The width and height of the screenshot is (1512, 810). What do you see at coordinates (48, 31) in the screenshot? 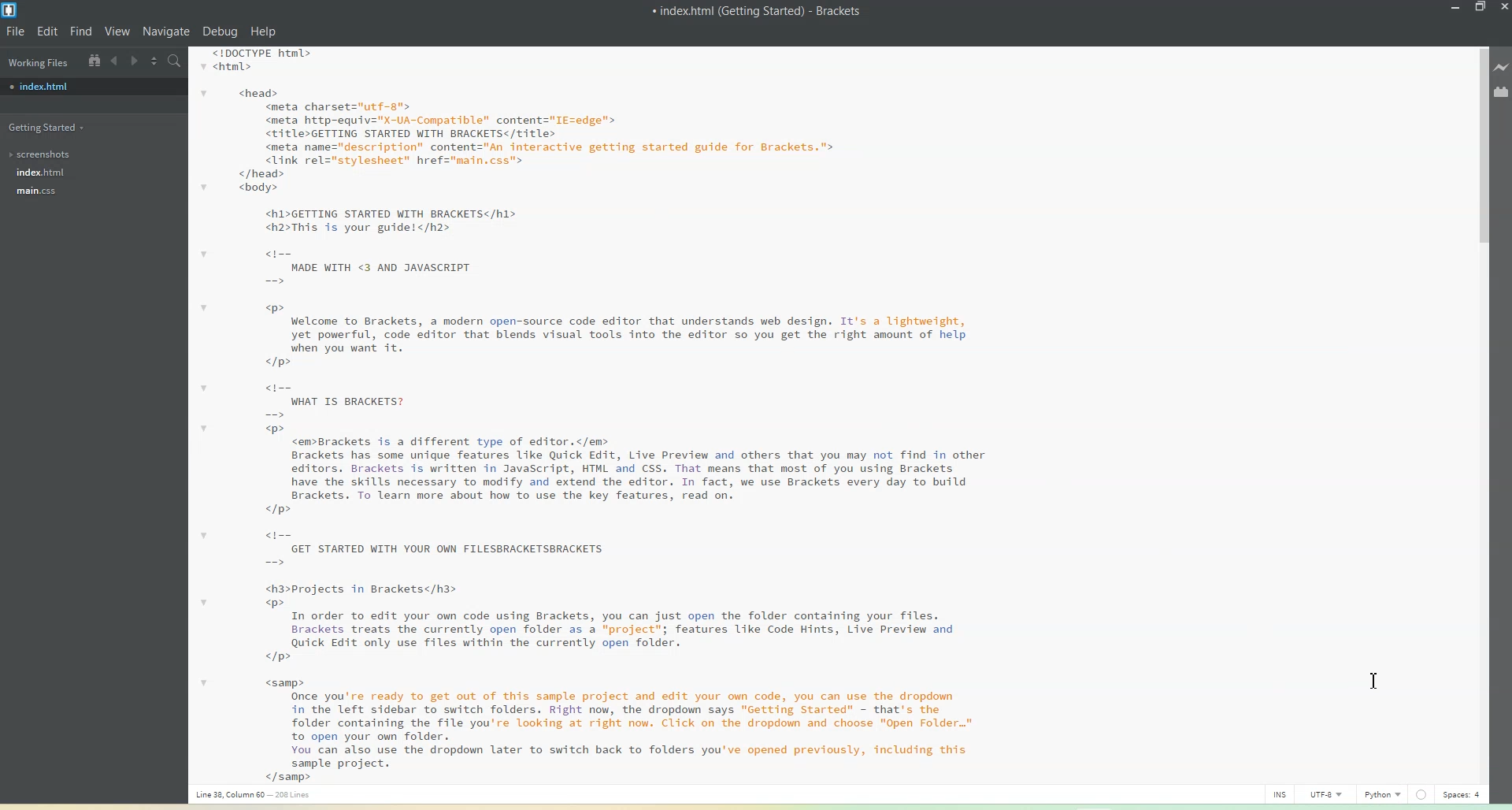
I see `Edit` at bounding box center [48, 31].